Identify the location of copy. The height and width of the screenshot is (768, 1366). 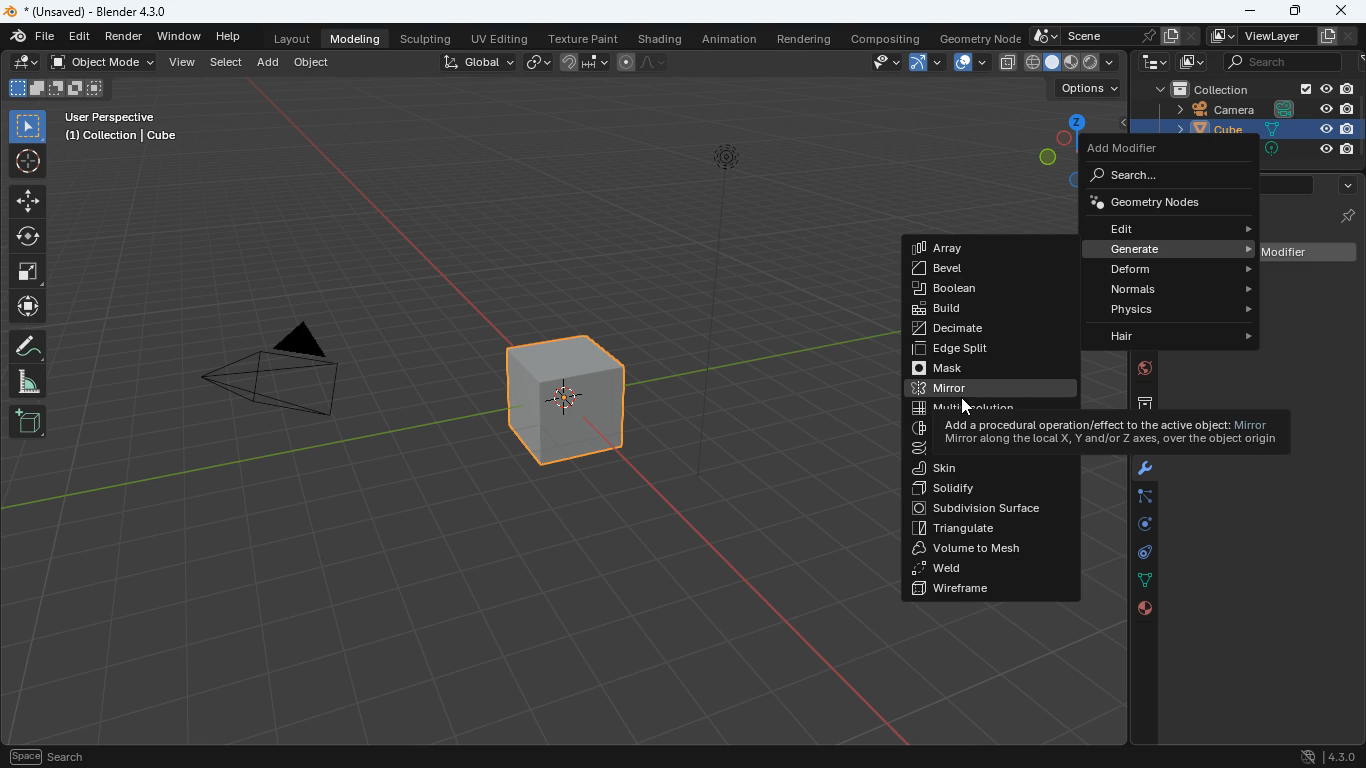
(1008, 63).